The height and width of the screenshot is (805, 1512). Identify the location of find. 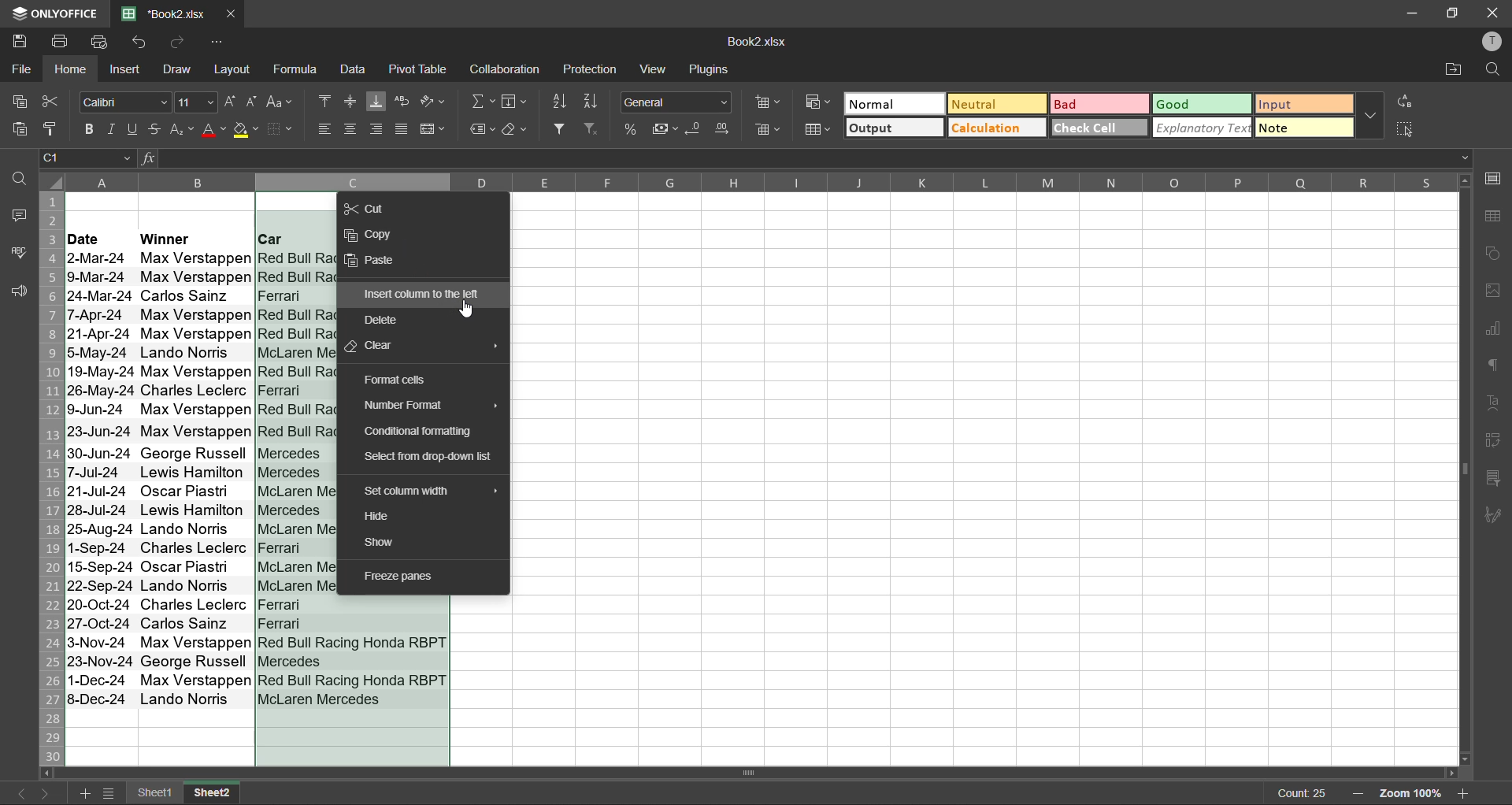
(1492, 71).